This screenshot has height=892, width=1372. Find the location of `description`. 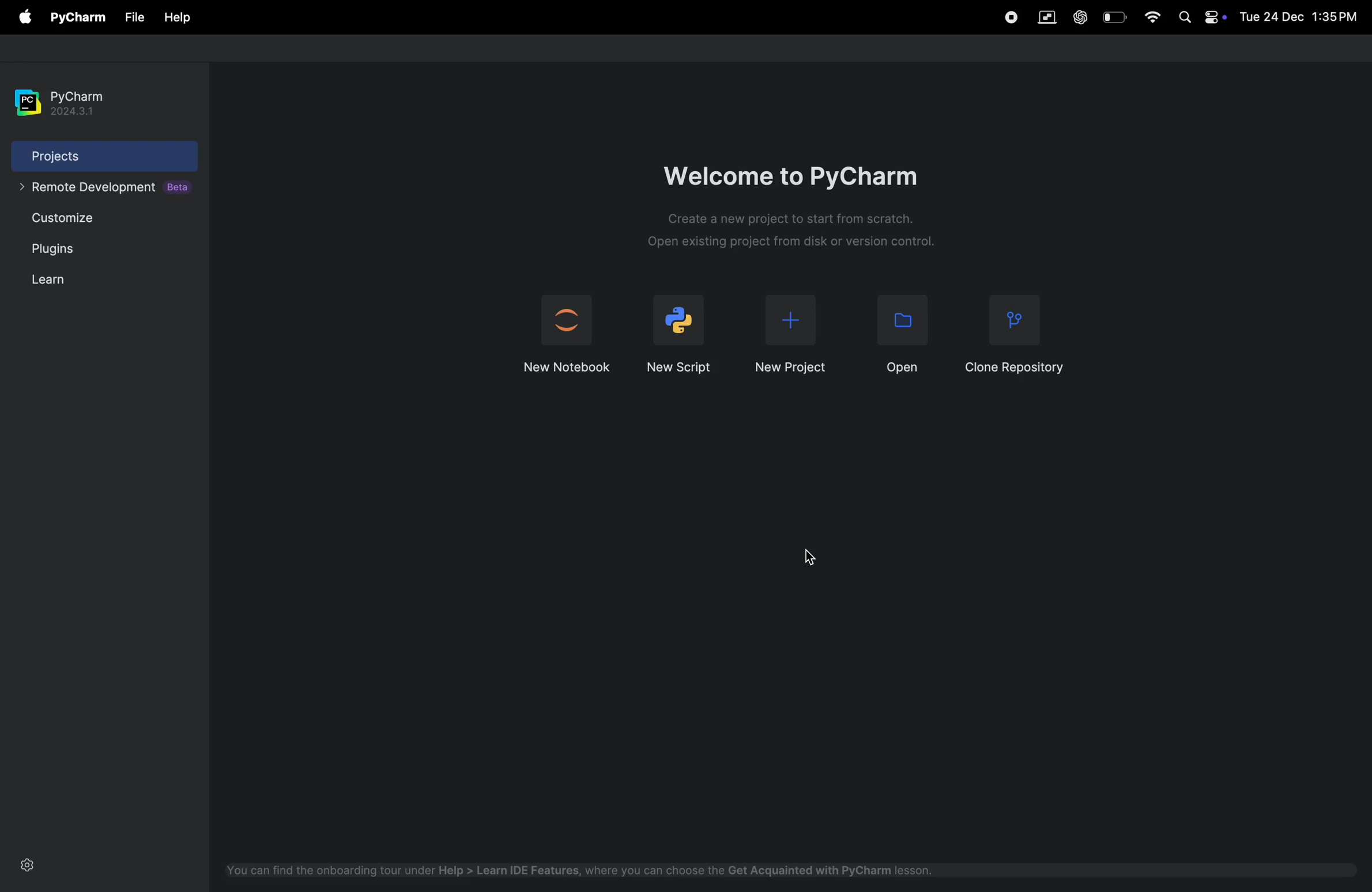

description is located at coordinates (798, 236).